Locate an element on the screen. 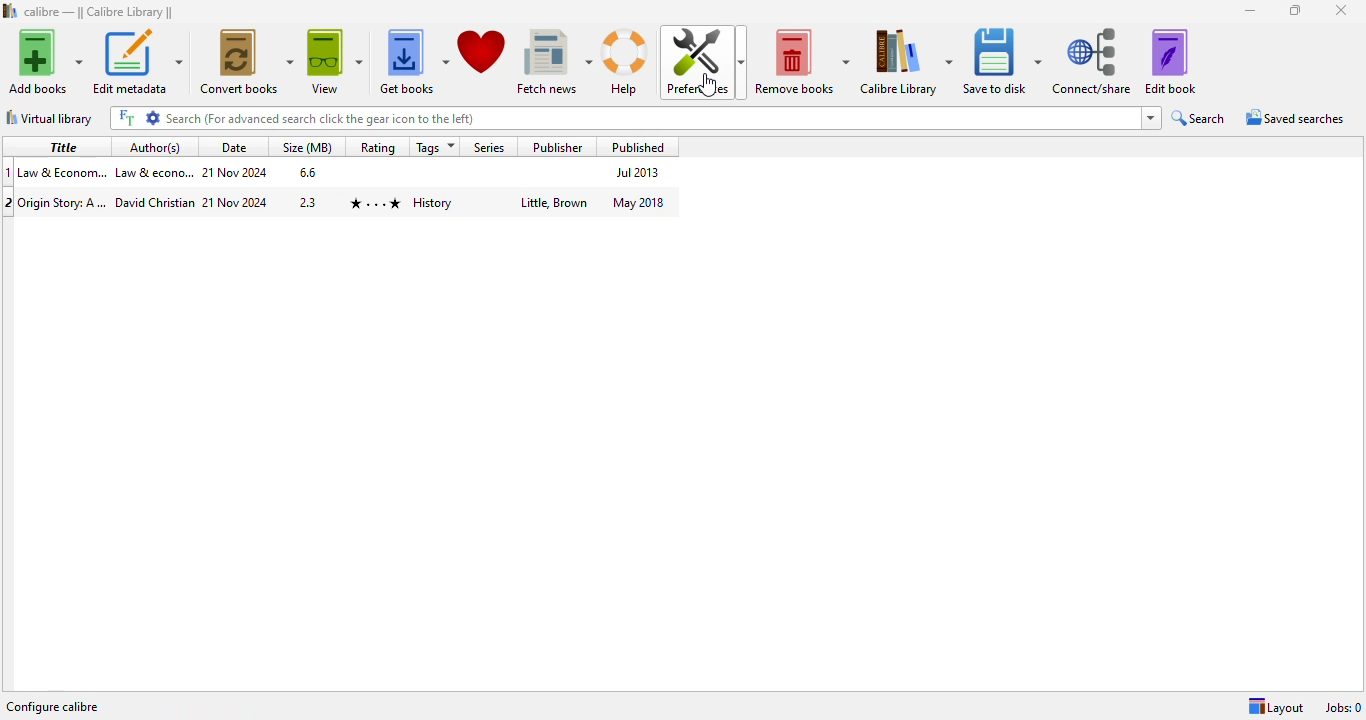 The image size is (1366, 720). author(s) is located at coordinates (155, 148).